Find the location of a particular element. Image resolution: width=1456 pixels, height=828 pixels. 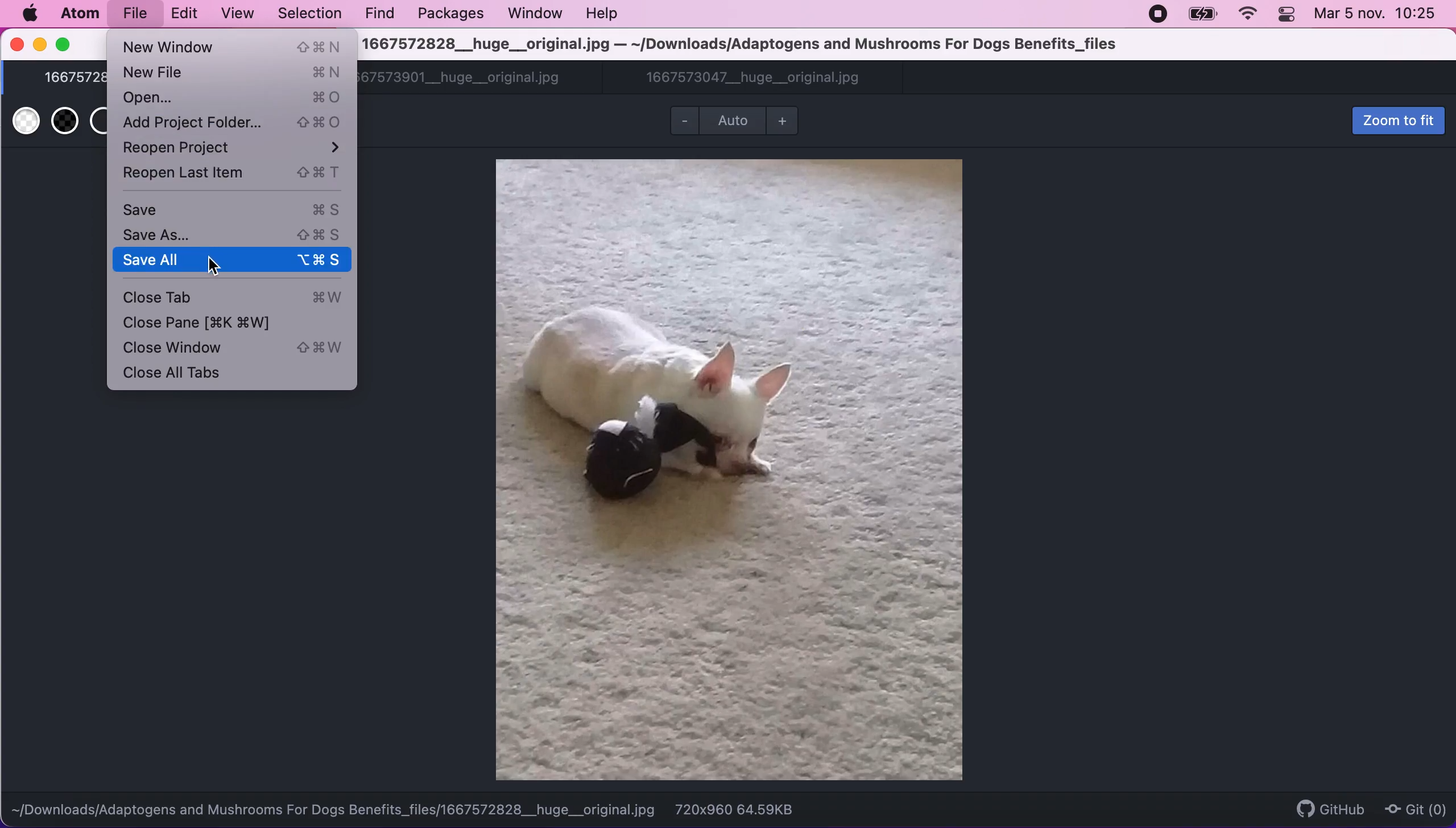

1667573047__huge__original.jpg is located at coordinates (754, 80).